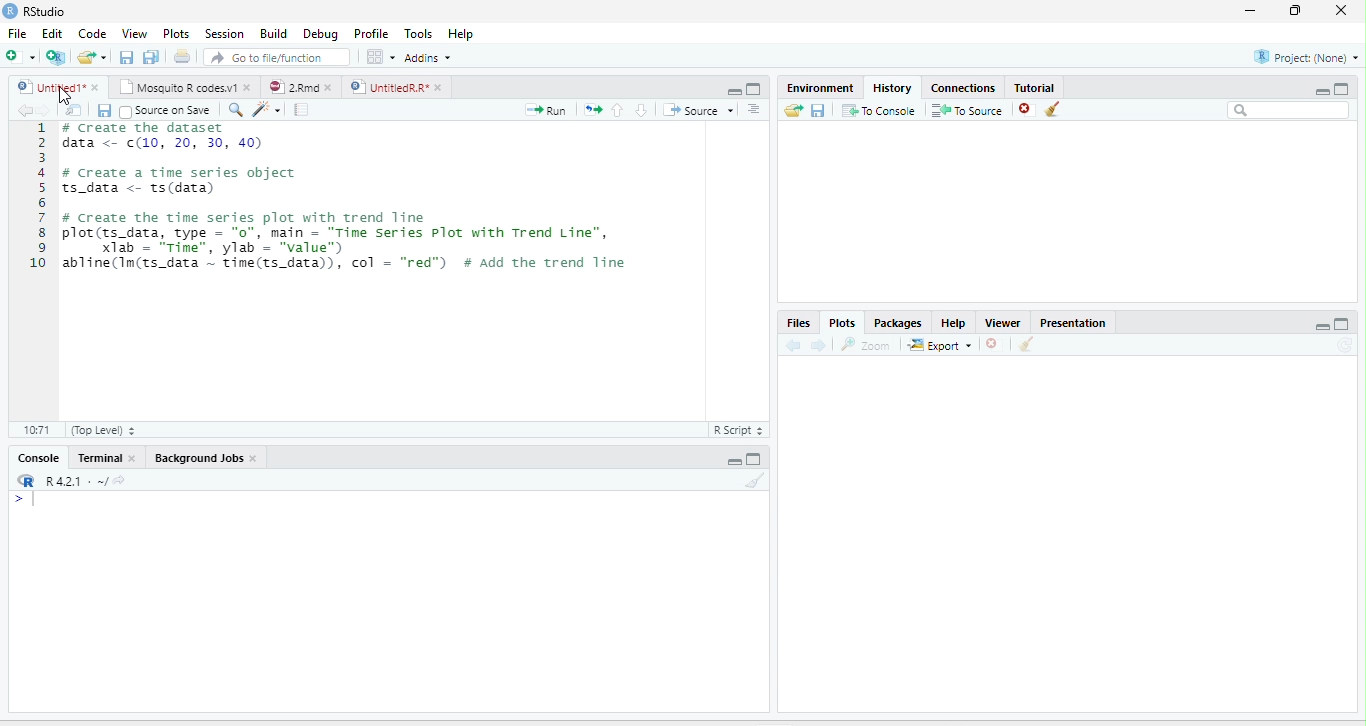 This screenshot has height=726, width=1366. I want to click on Search bar, so click(1288, 110).